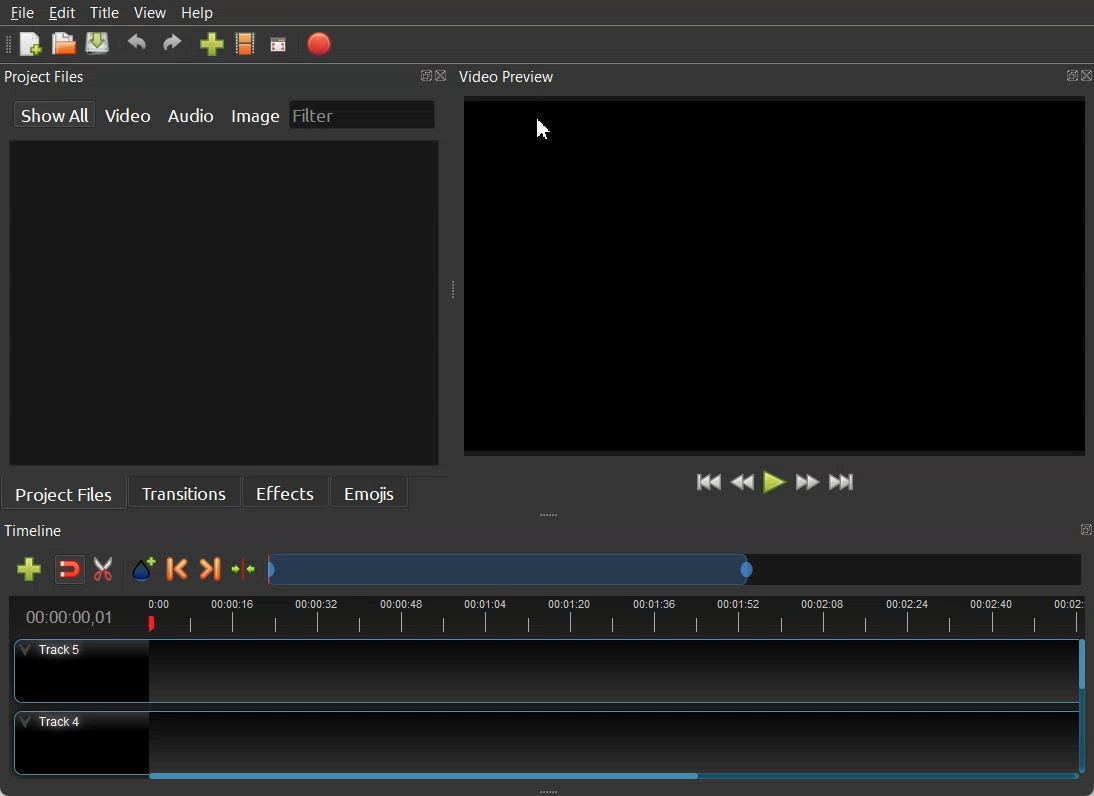 This screenshot has height=796, width=1094. Describe the element at coordinates (136, 42) in the screenshot. I see `Undo` at that location.